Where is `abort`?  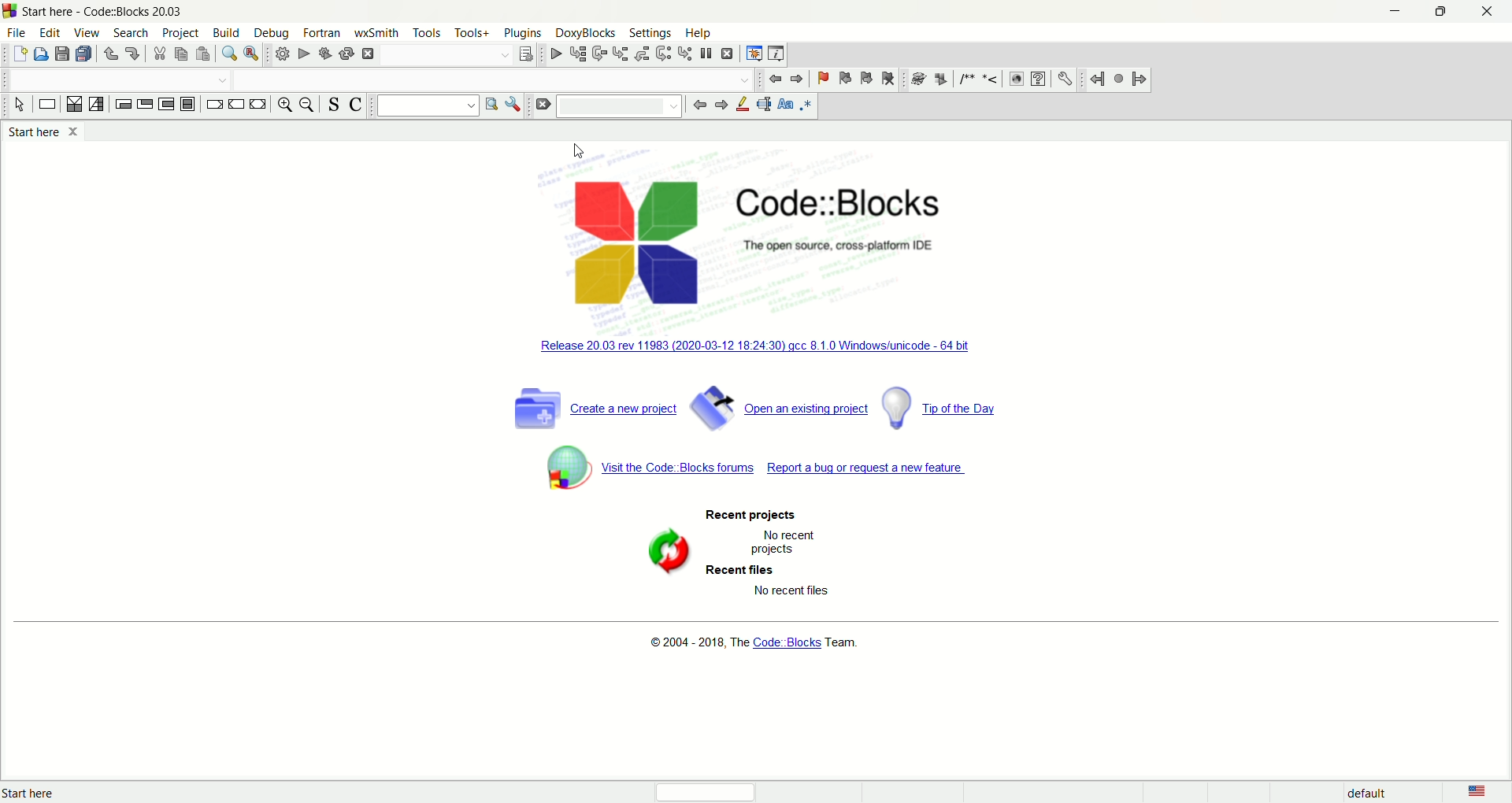 abort is located at coordinates (368, 54).